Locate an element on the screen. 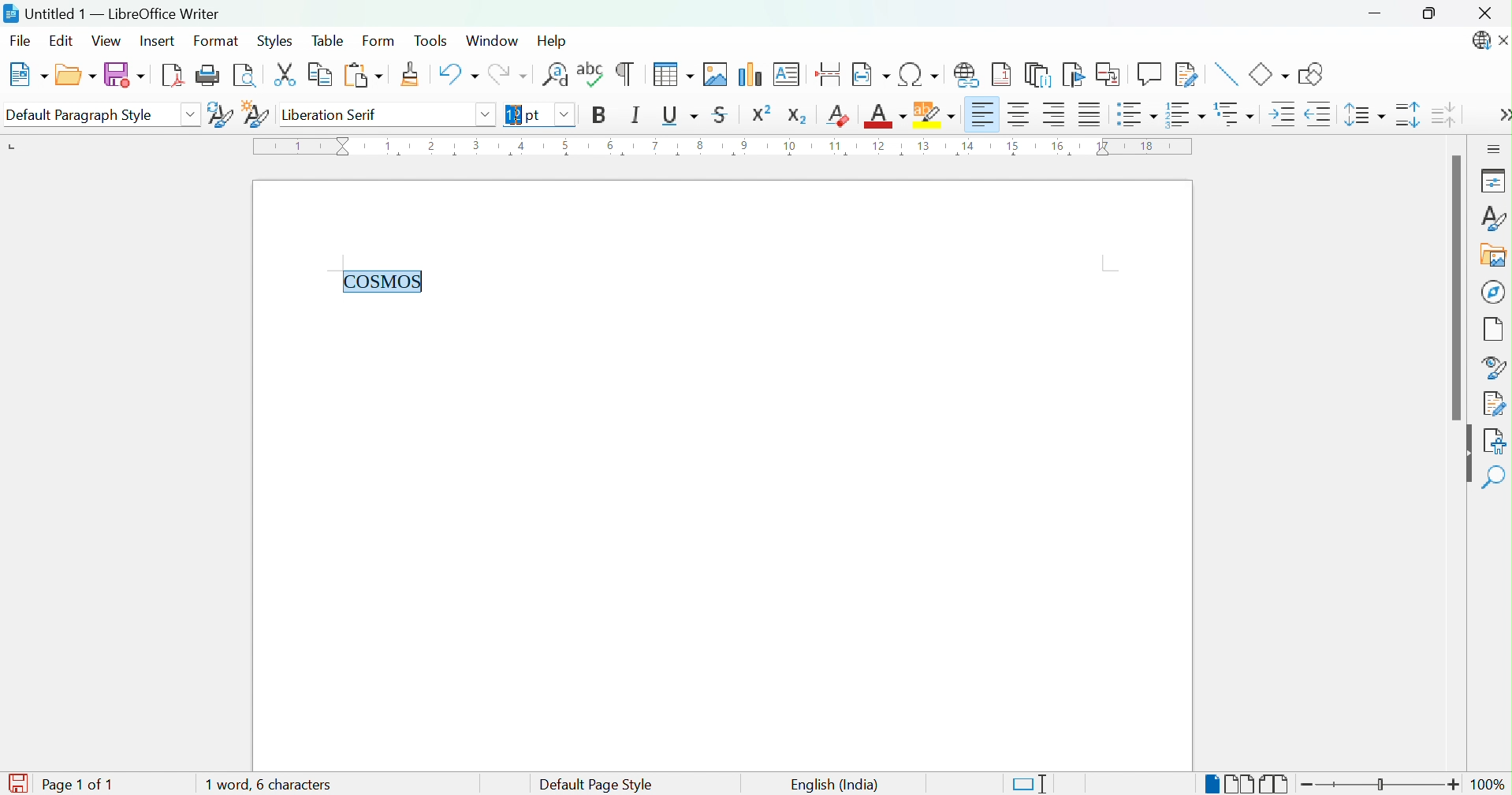 The width and height of the screenshot is (1512, 795). Slider is located at coordinates (1384, 786).